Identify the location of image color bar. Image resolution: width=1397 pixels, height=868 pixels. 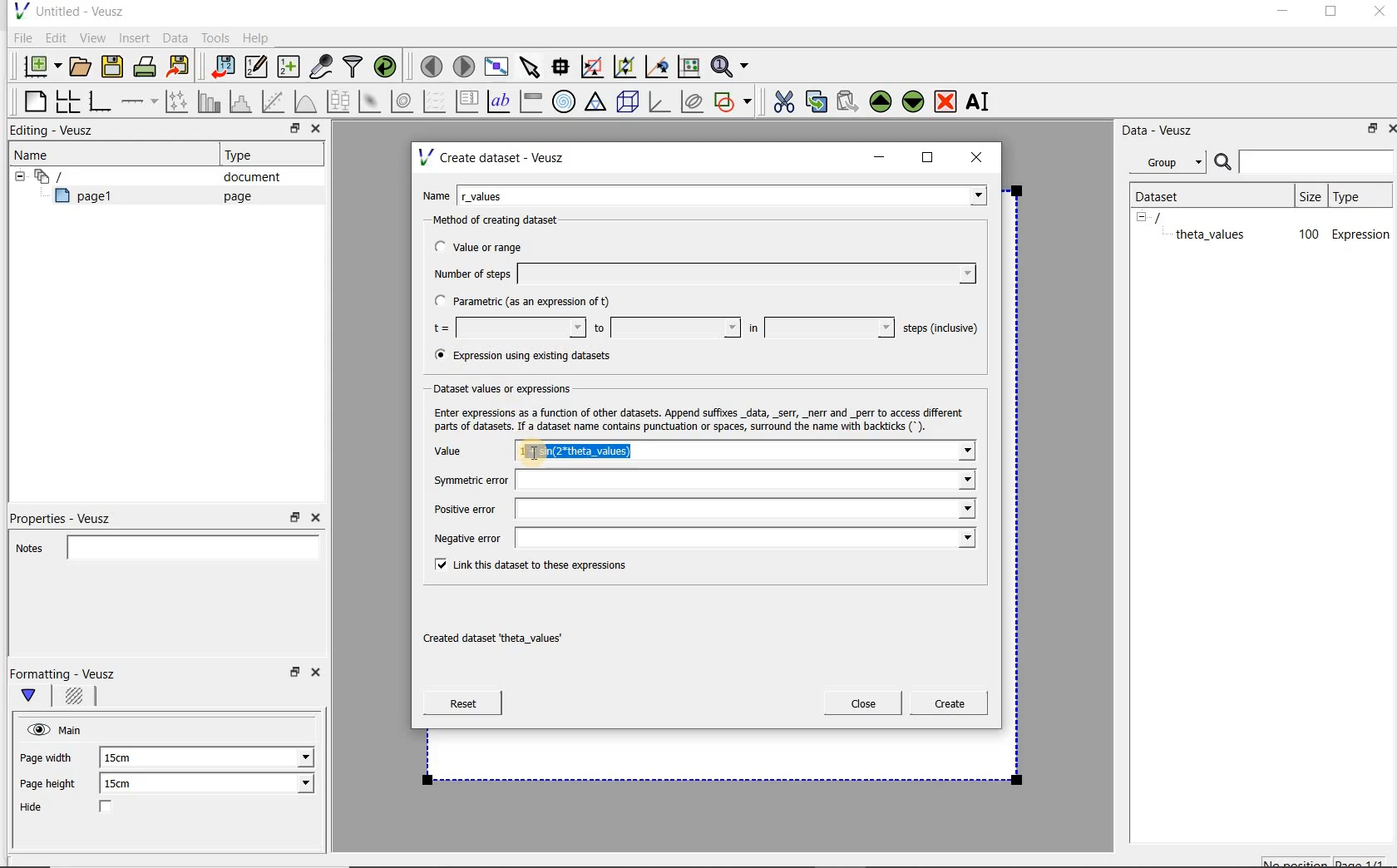
(531, 101).